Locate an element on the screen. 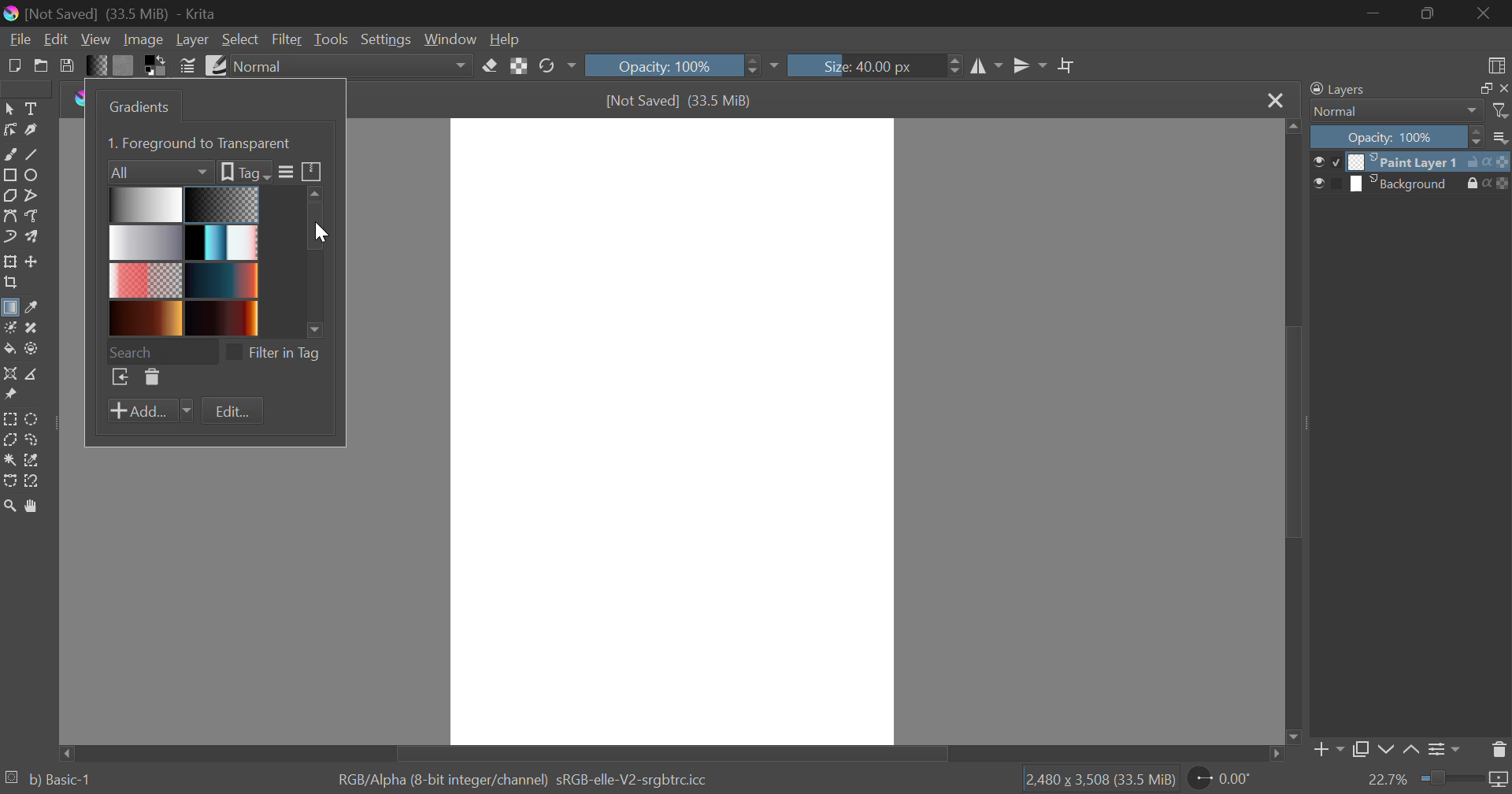 This screenshot has height=794, width=1512. Bezier Curve Selection is located at coordinates (9, 479).